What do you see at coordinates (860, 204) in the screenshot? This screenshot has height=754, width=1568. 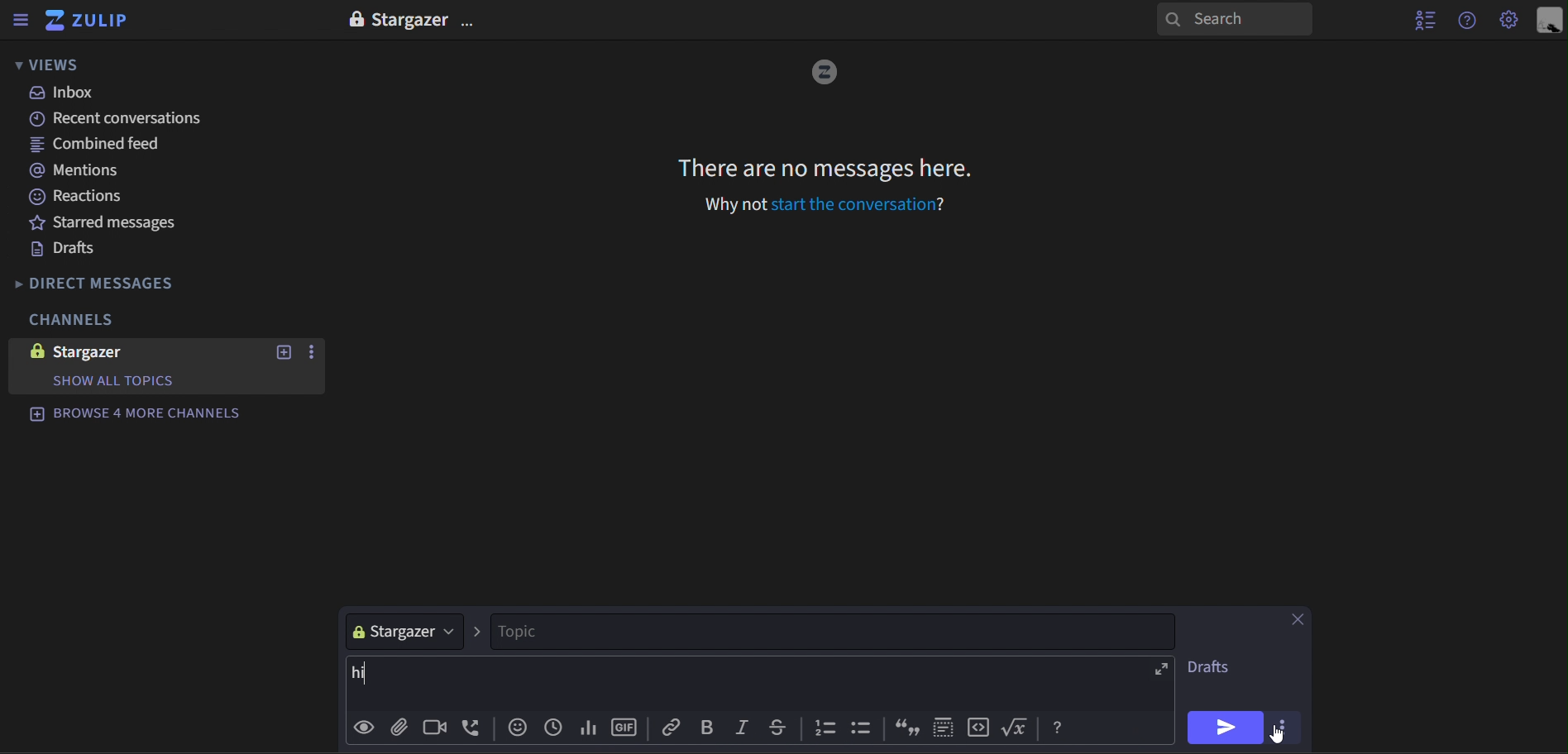 I see `Start the conversation` at bounding box center [860, 204].